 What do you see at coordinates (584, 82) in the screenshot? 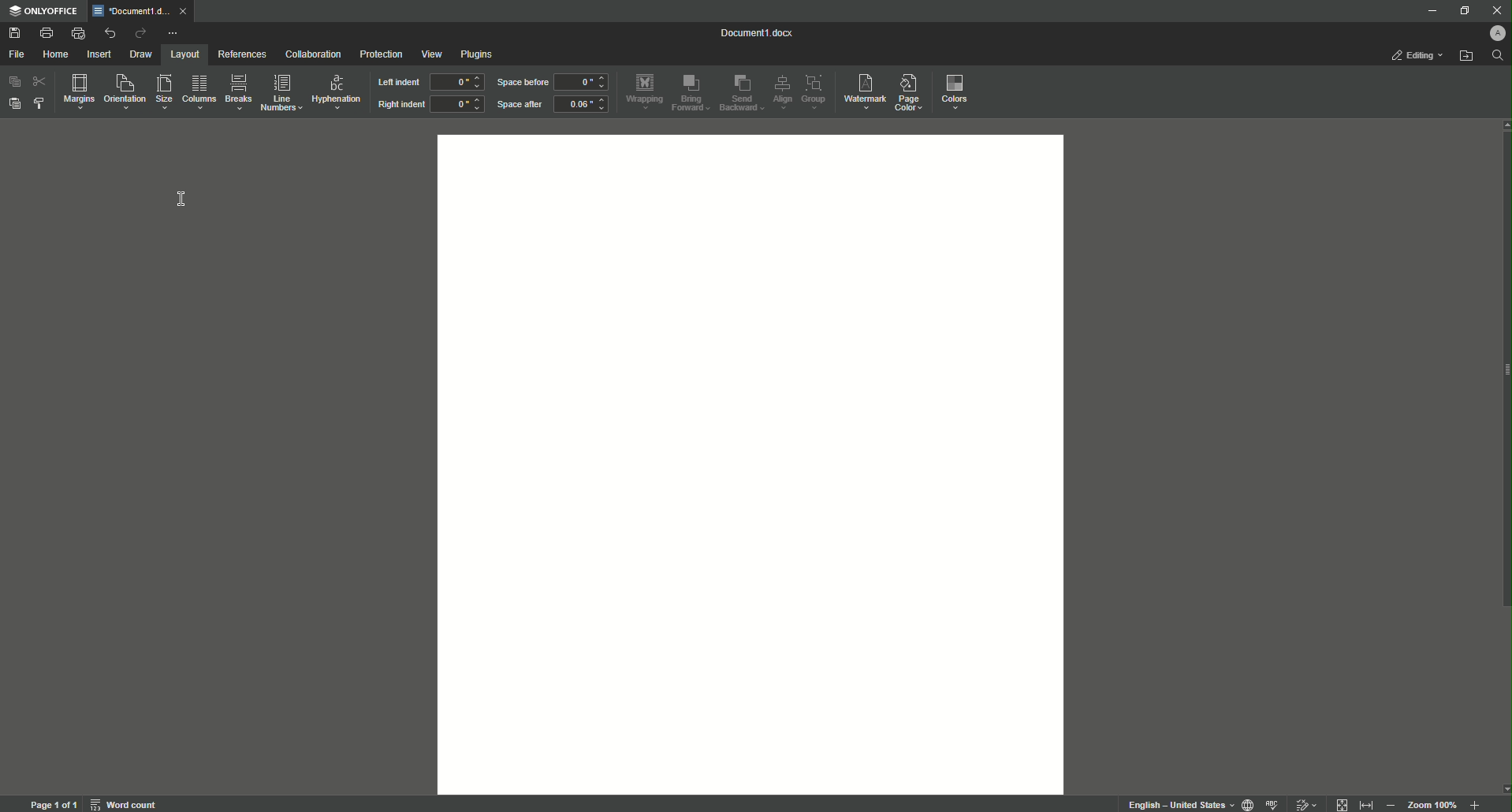
I see `0` at bounding box center [584, 82].